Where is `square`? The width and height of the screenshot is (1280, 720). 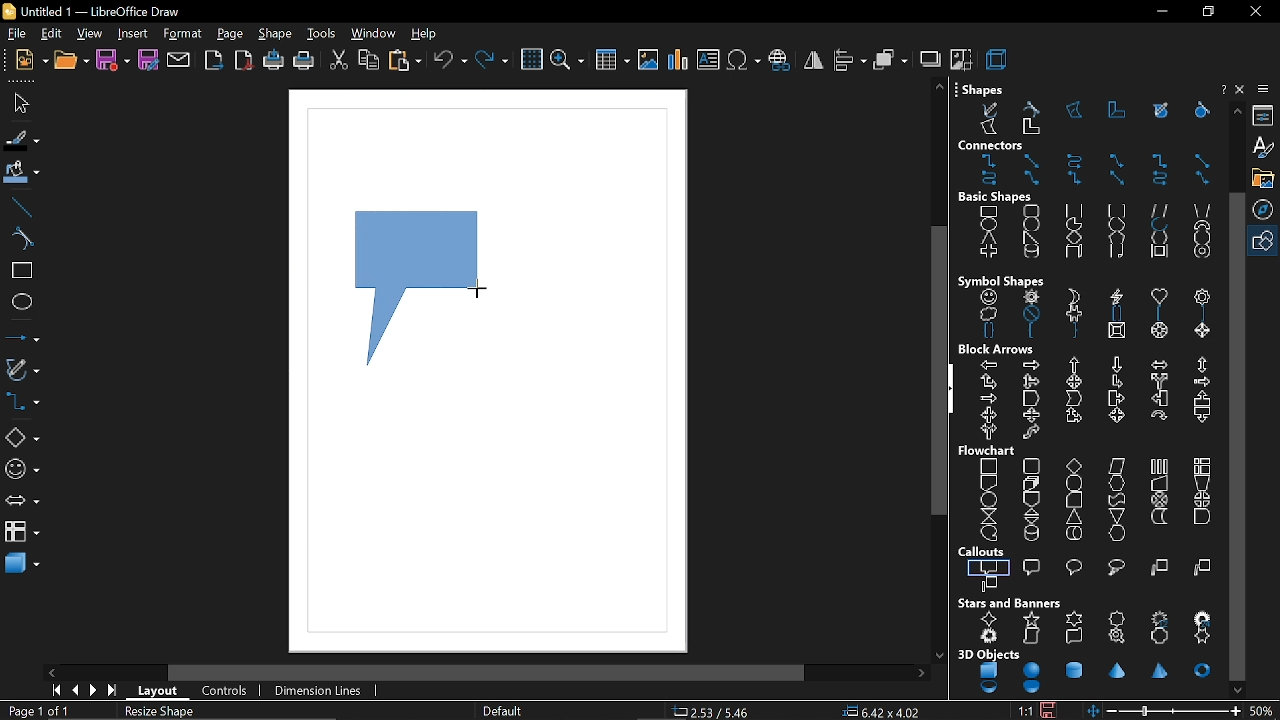
square is located at coordinates (1074, 211).